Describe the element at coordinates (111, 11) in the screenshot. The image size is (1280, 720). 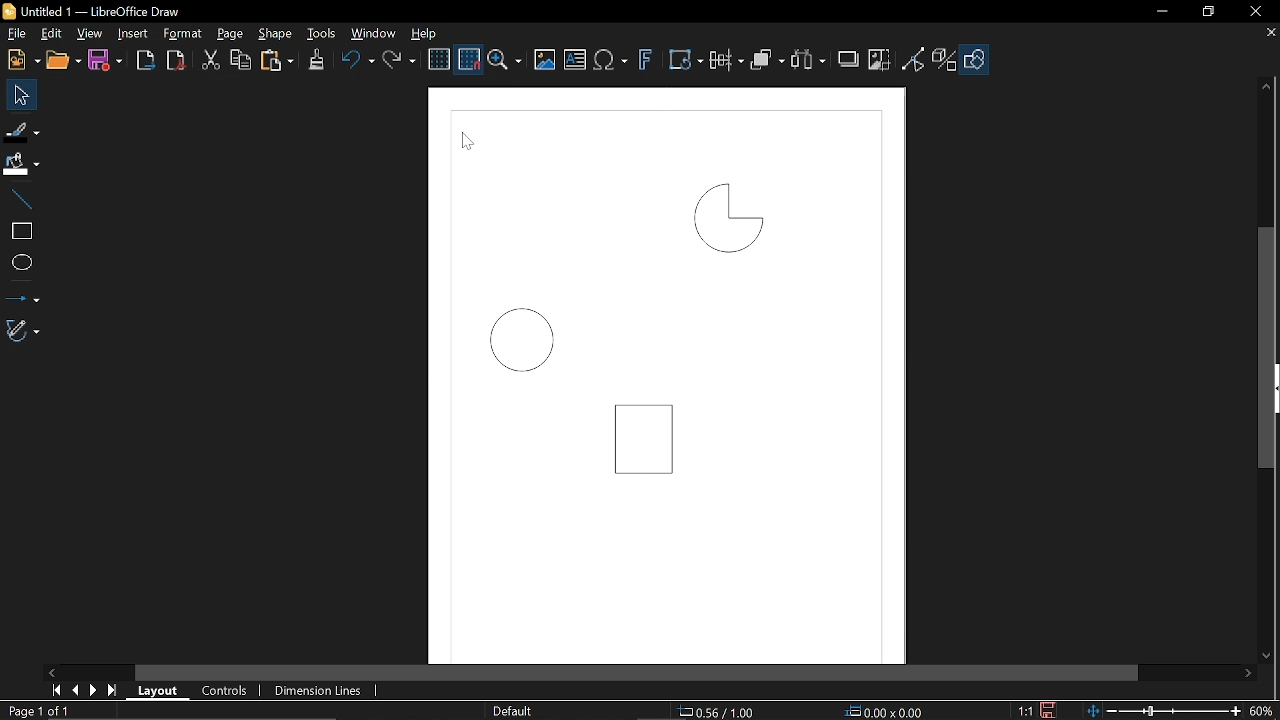
I see `Untitled 1 — LibreOffice Draw` at that location.